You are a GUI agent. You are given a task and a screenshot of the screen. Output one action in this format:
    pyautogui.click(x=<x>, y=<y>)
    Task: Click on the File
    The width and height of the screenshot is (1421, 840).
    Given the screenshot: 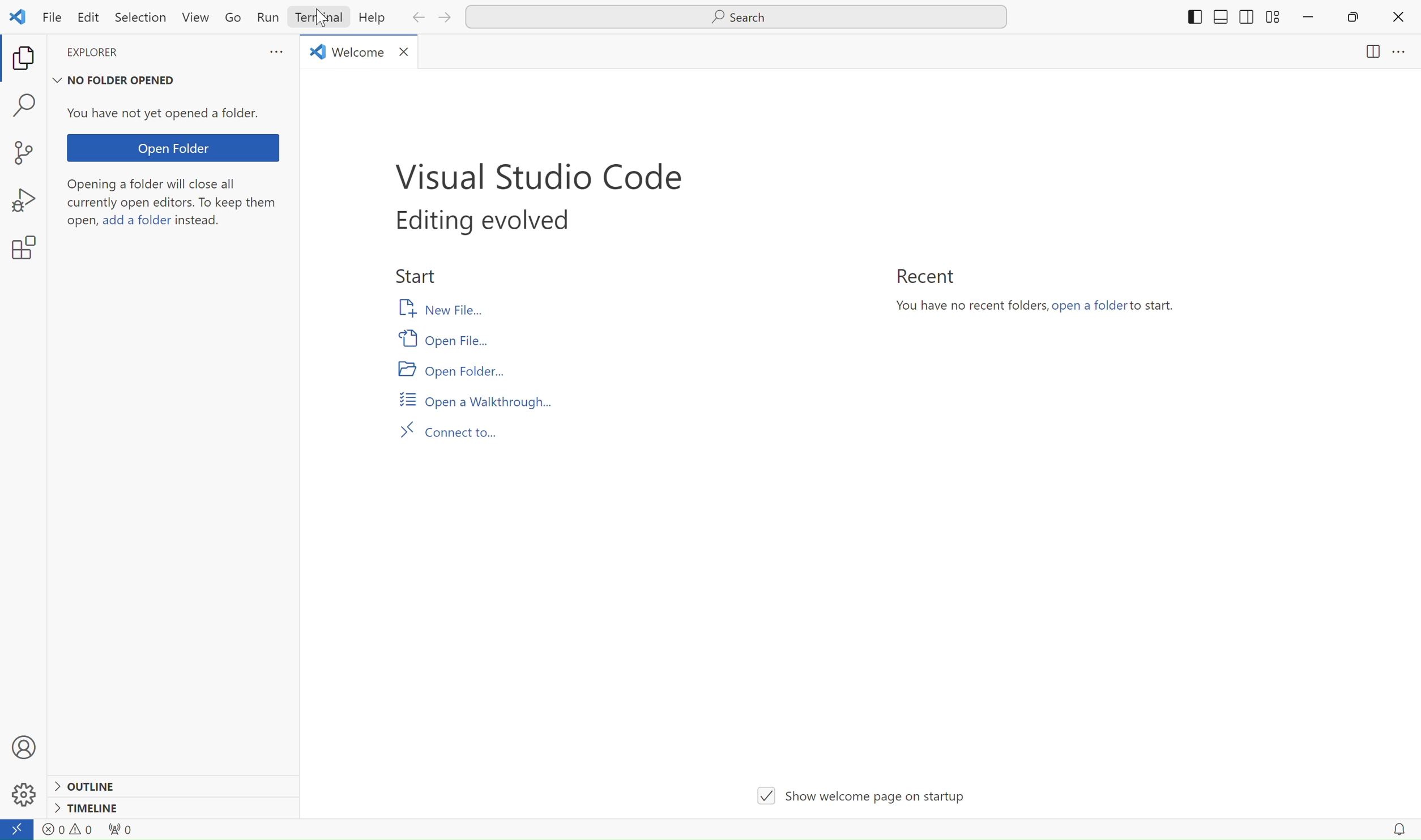 What is the action you would take?
    pyautogui.click(x=49, y=16)
    